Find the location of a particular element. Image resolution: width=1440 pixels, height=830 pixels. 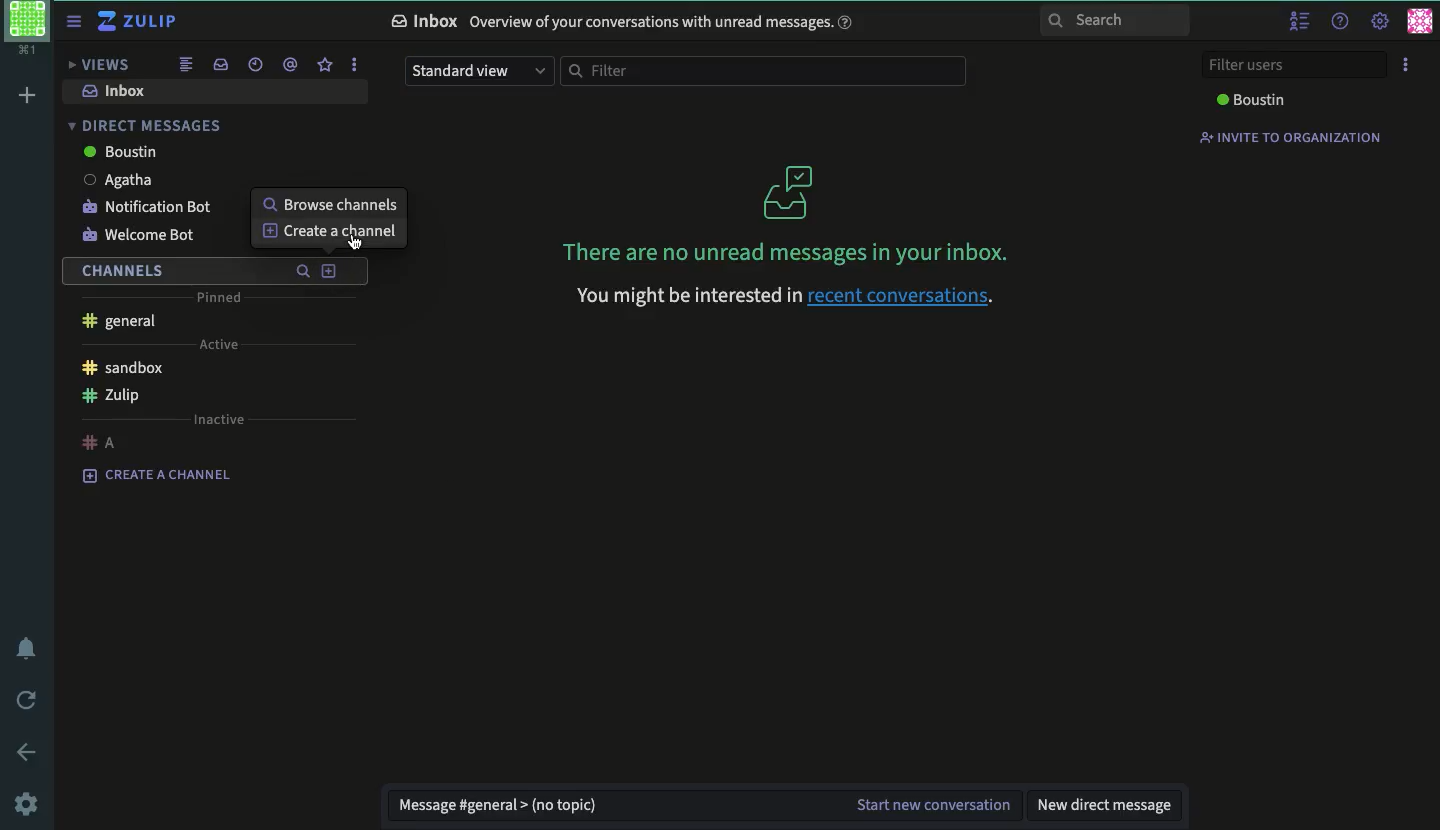

There are no unread messages in your inbox. is located at coordinates (783, 215).